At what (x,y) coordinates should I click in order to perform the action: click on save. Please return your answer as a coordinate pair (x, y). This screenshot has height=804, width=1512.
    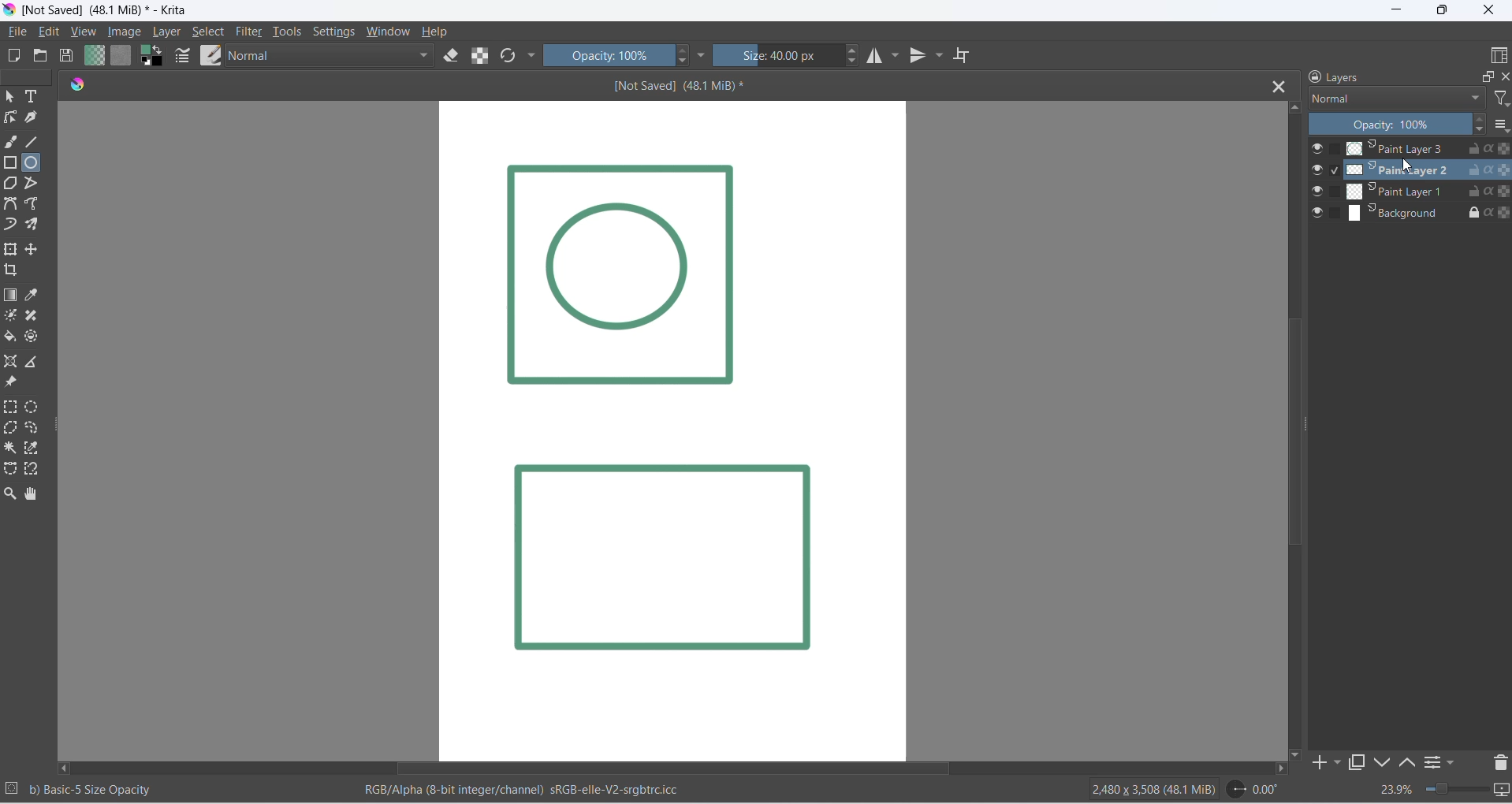
    Looking at the image, I should click on (70, 56).